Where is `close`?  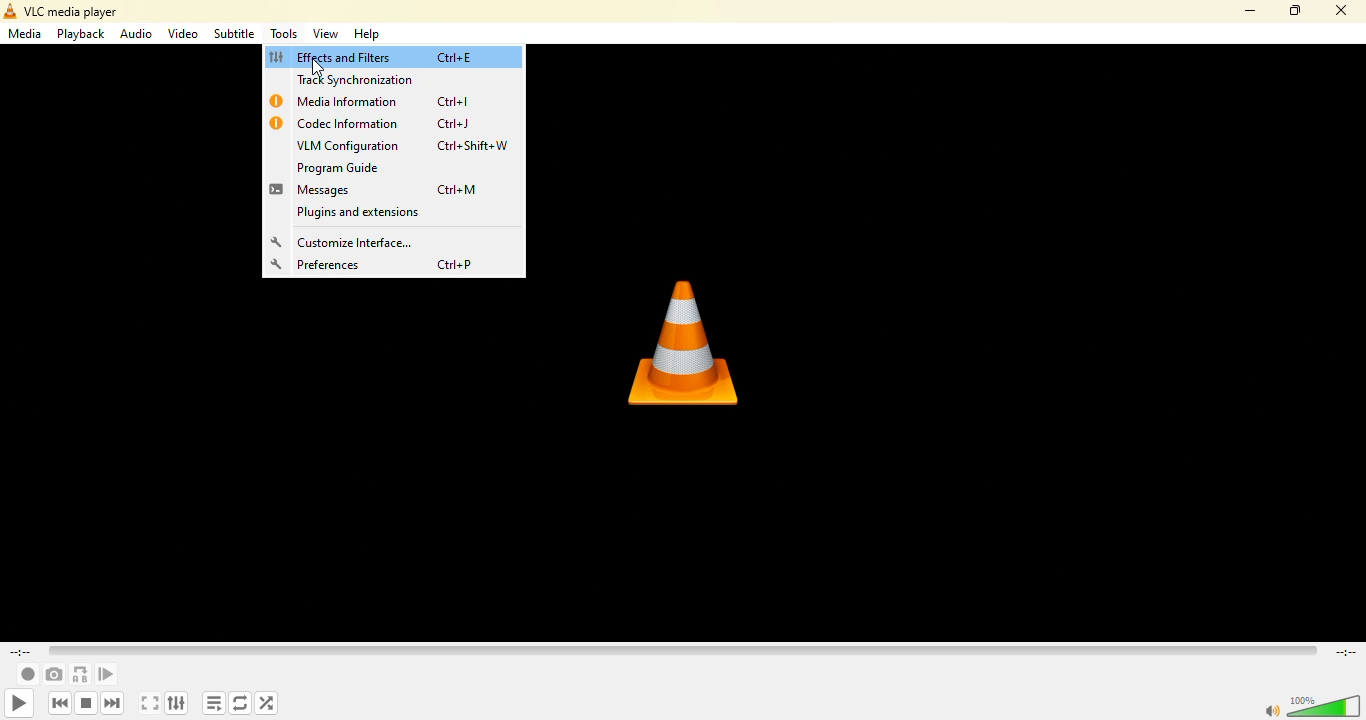 close is located at coordinates (1345, 10).